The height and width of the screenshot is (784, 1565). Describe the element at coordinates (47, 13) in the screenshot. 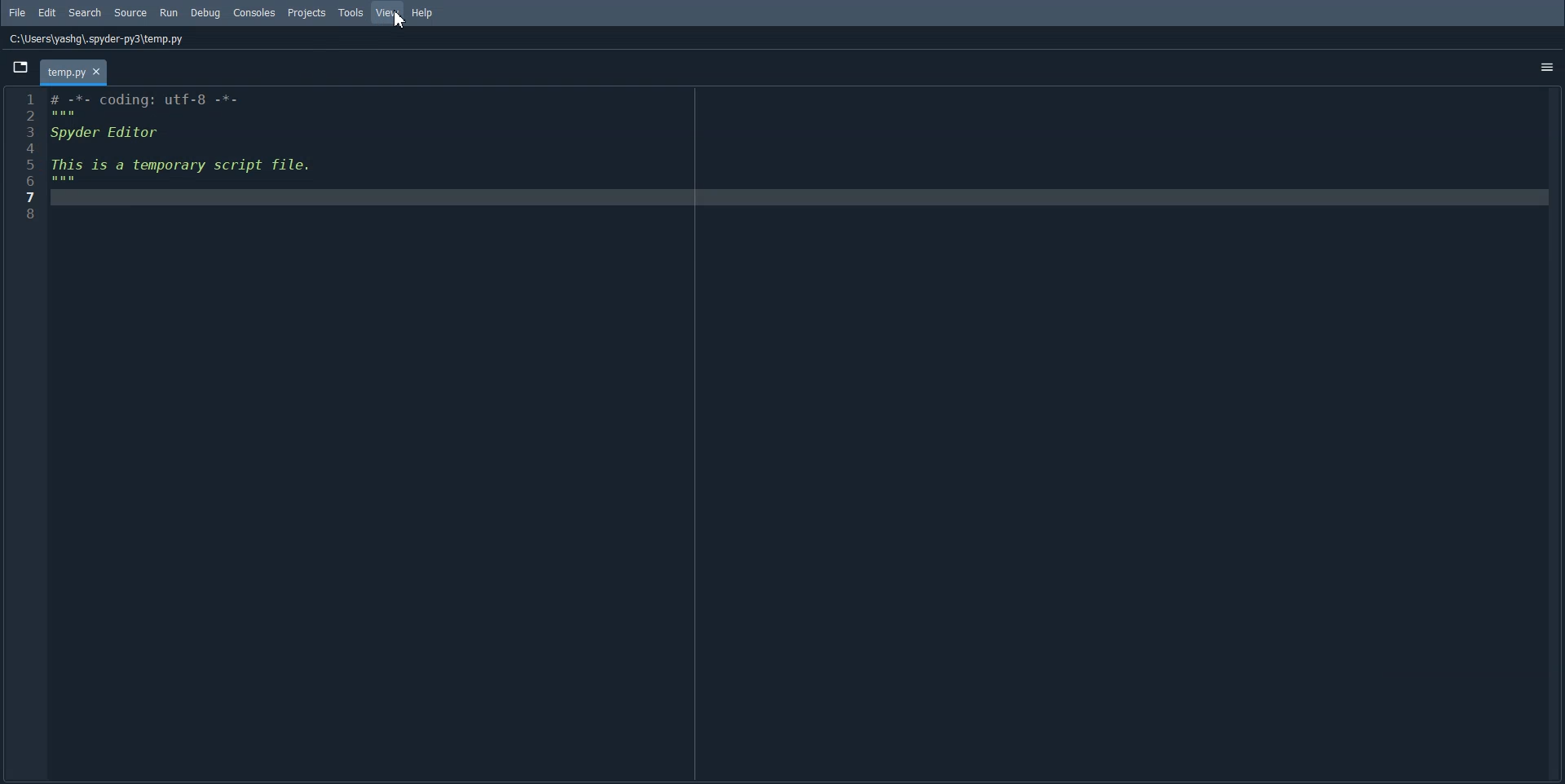

I see `Edit` at that location.